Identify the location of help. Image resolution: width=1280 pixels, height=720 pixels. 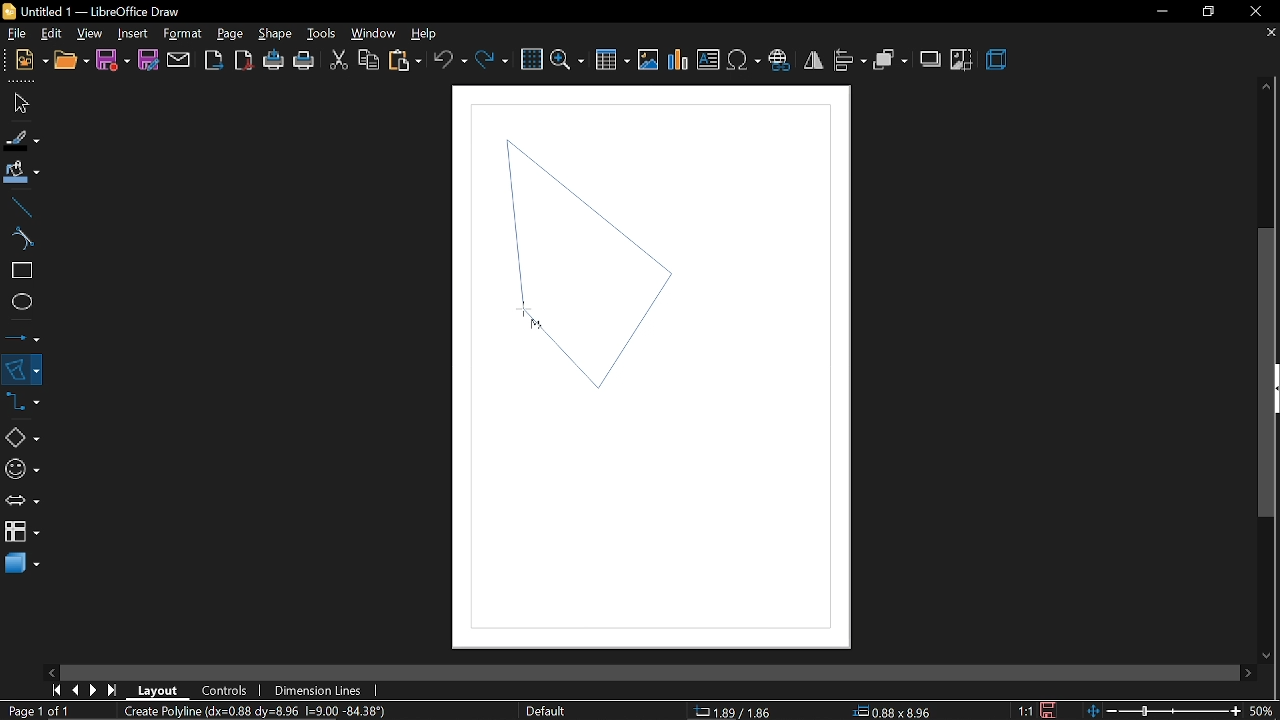
(427, 34).